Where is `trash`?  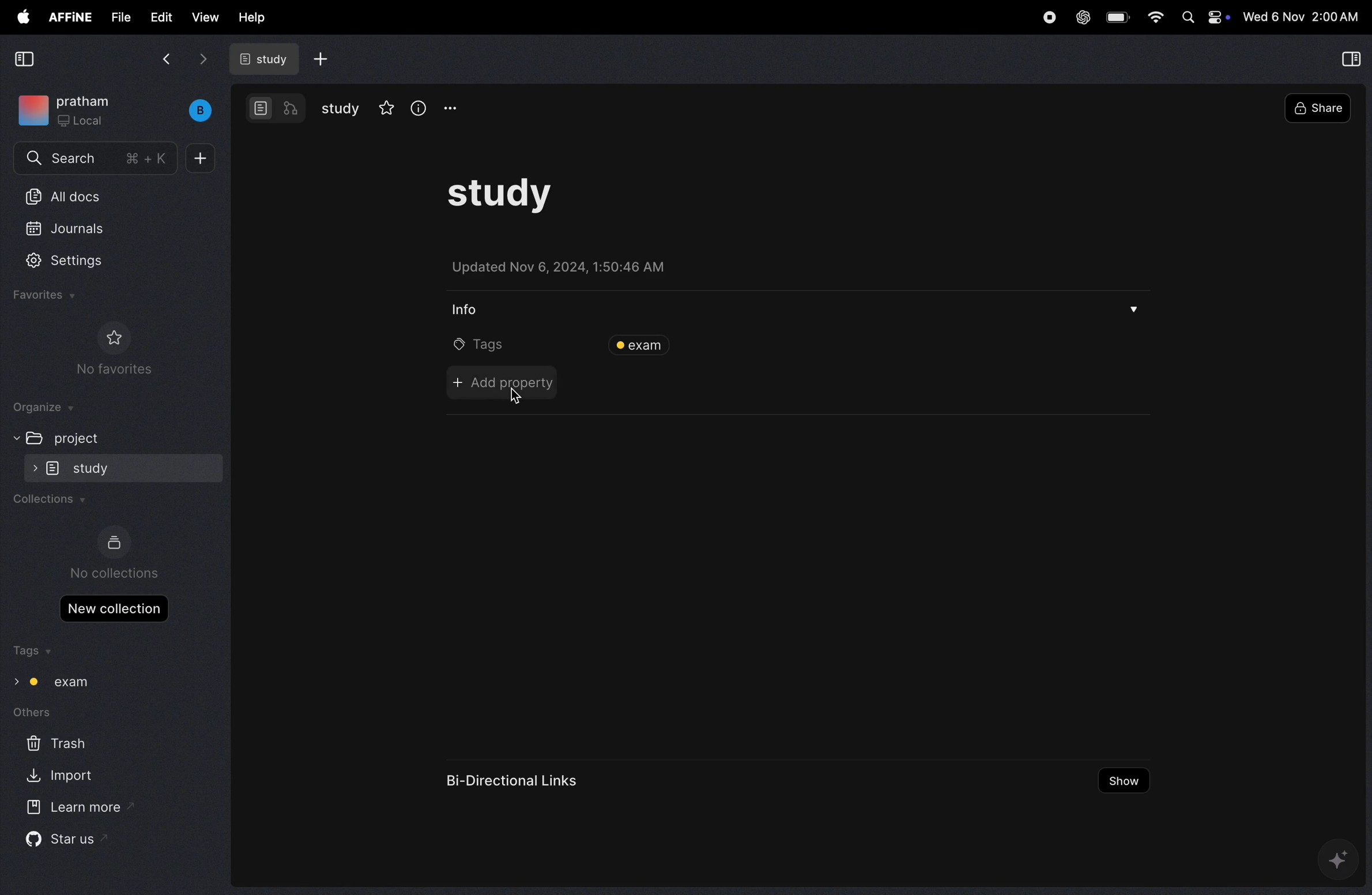
trash is located at coordinates (68, 743).